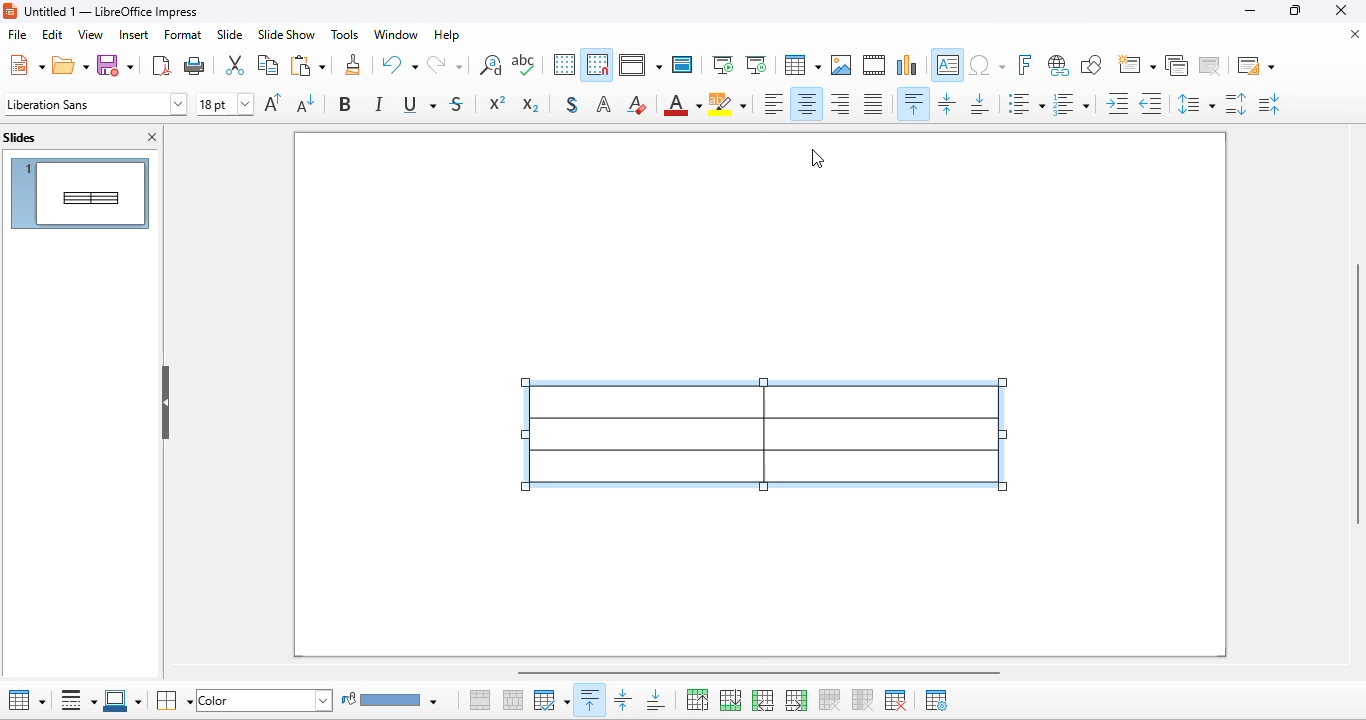  I want to click on insert row below, so click(730, 699).